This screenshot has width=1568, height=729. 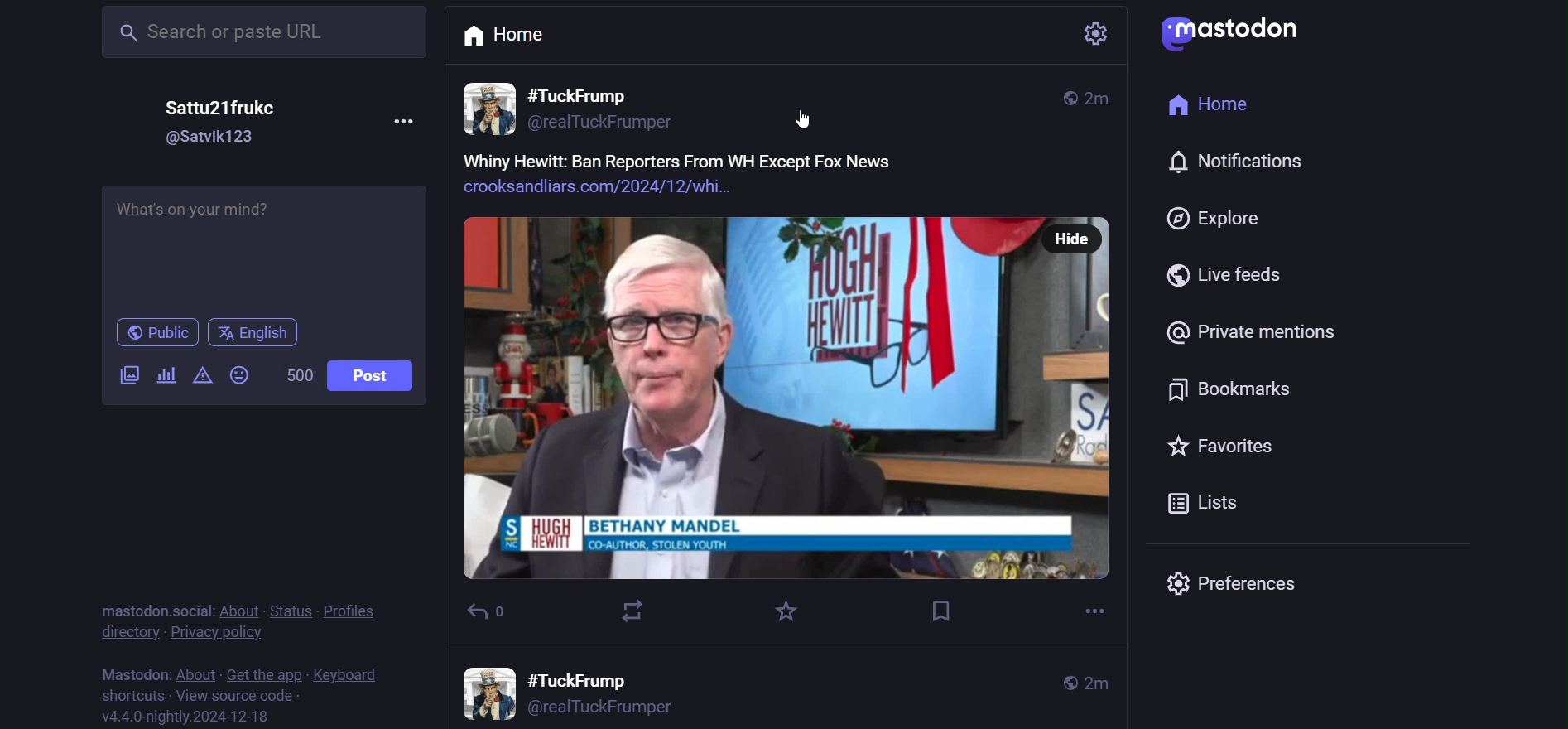 I want to click on source code, so click(x=235, y=695).